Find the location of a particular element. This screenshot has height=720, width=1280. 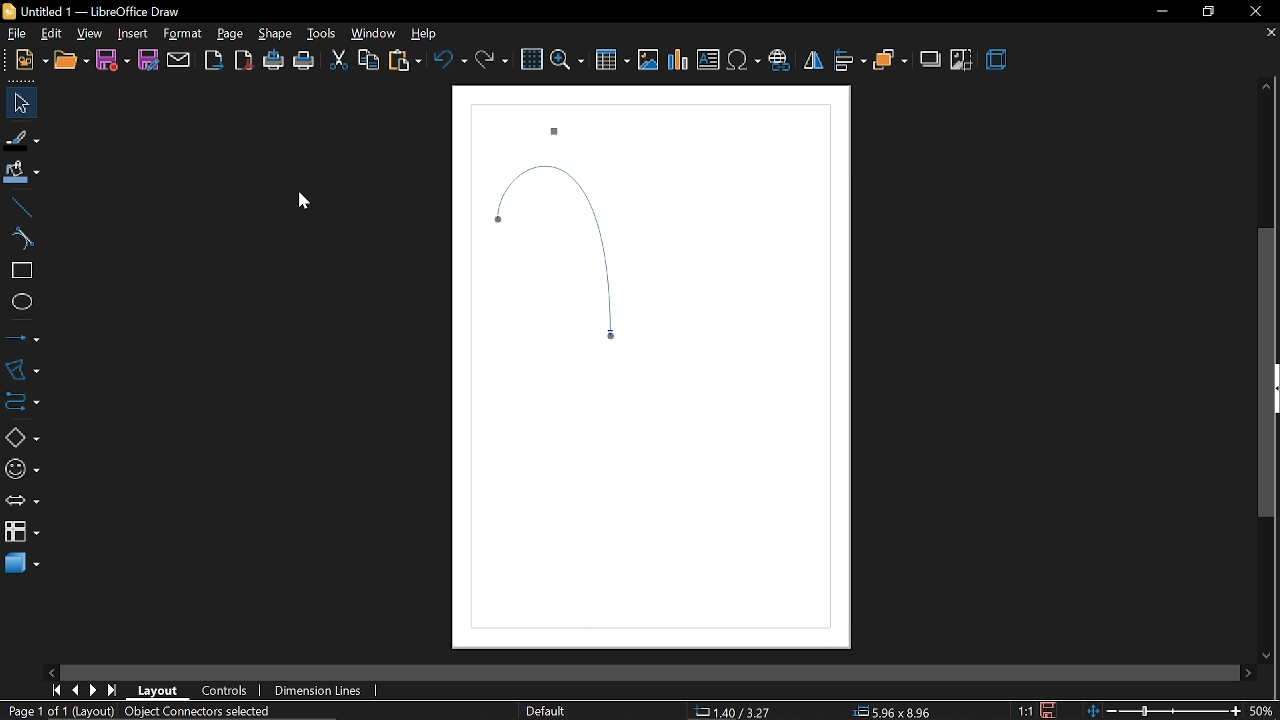

3d shapes is located at coordinates (21, 566).